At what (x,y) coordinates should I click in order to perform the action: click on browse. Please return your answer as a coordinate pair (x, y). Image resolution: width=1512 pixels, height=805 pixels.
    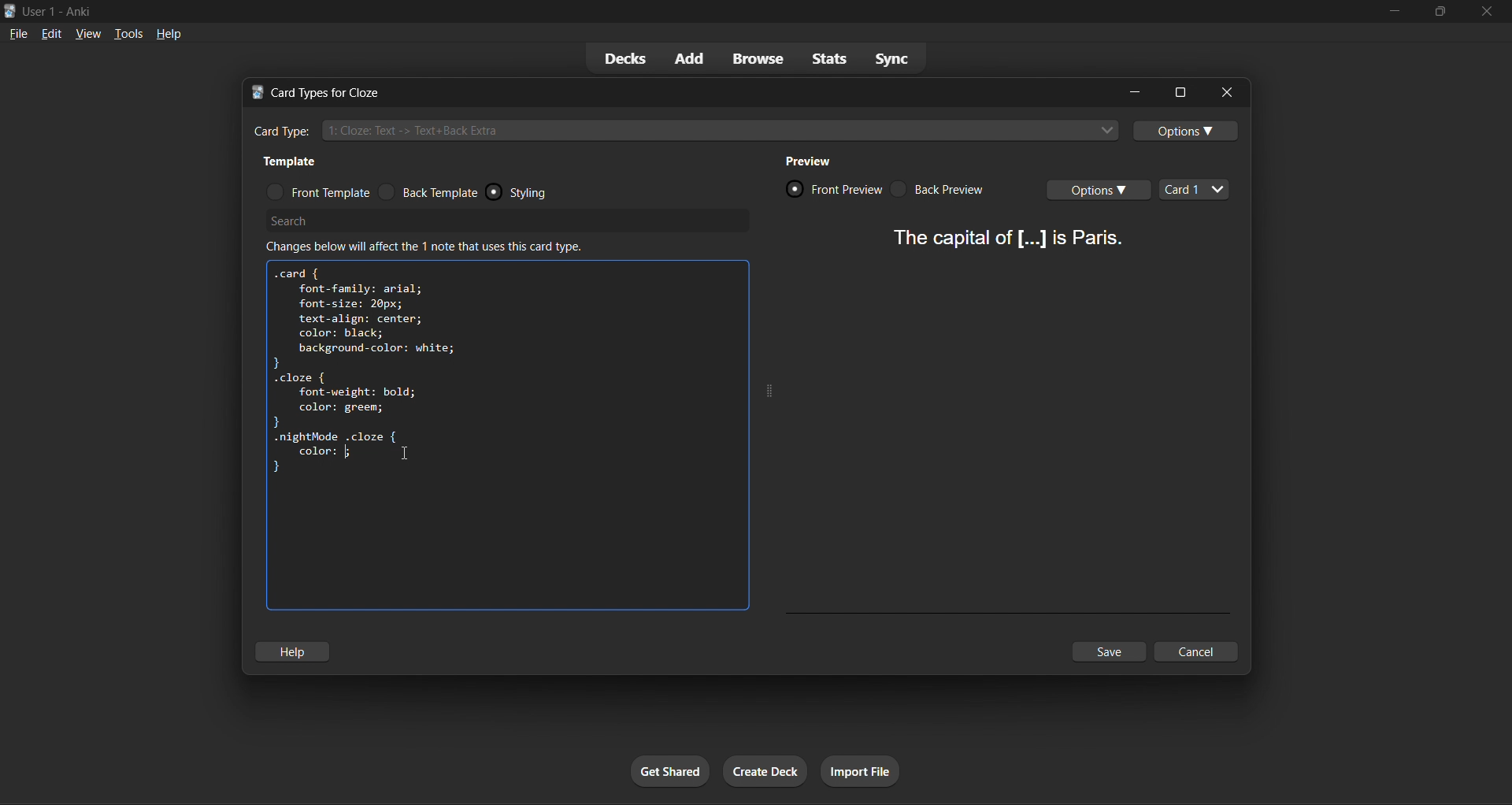
    Looking at the image, I should click on (755, 58).